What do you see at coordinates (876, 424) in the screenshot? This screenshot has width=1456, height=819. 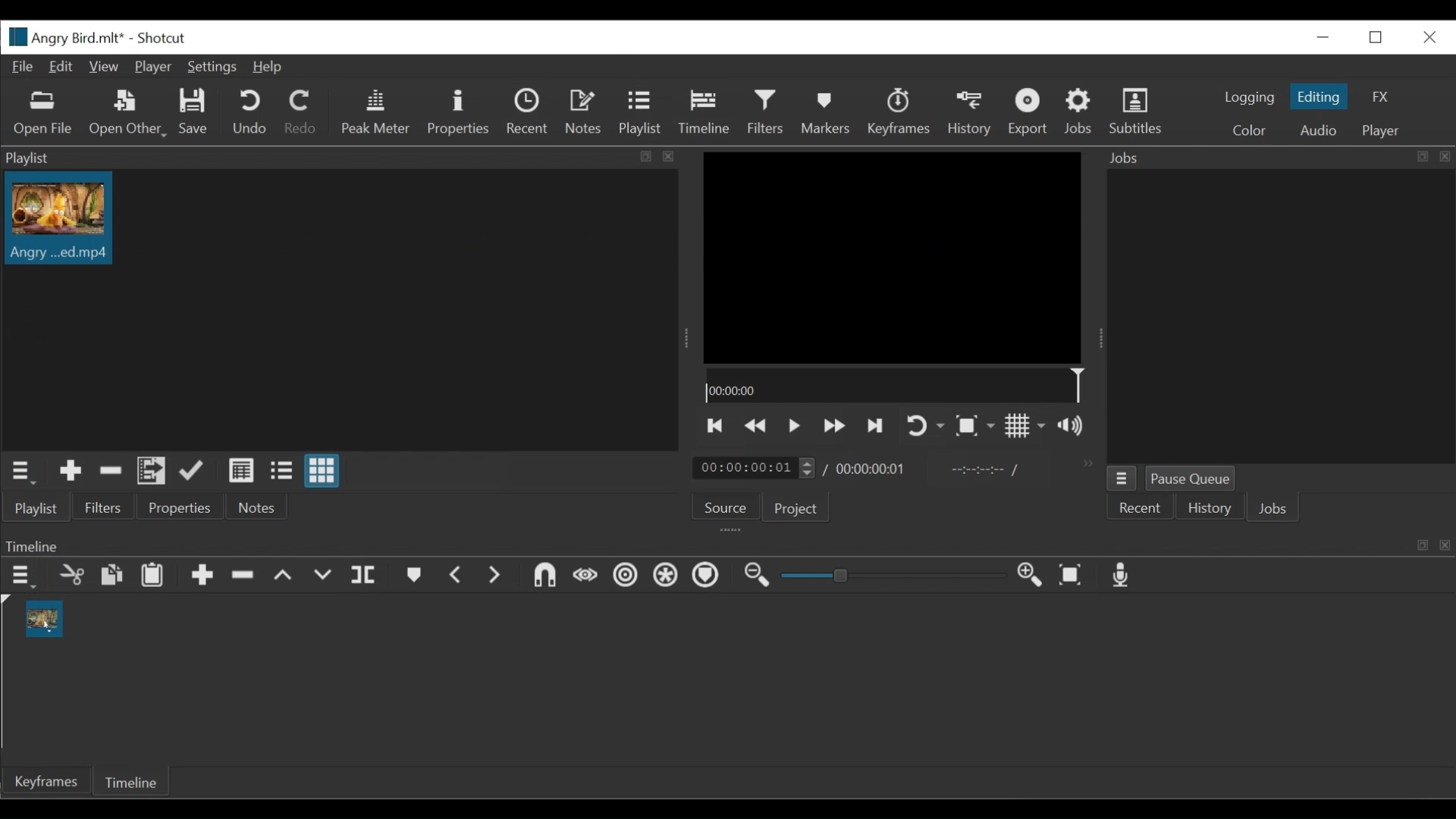 I see `Skip to the next point` at bounding box center [876, 424].